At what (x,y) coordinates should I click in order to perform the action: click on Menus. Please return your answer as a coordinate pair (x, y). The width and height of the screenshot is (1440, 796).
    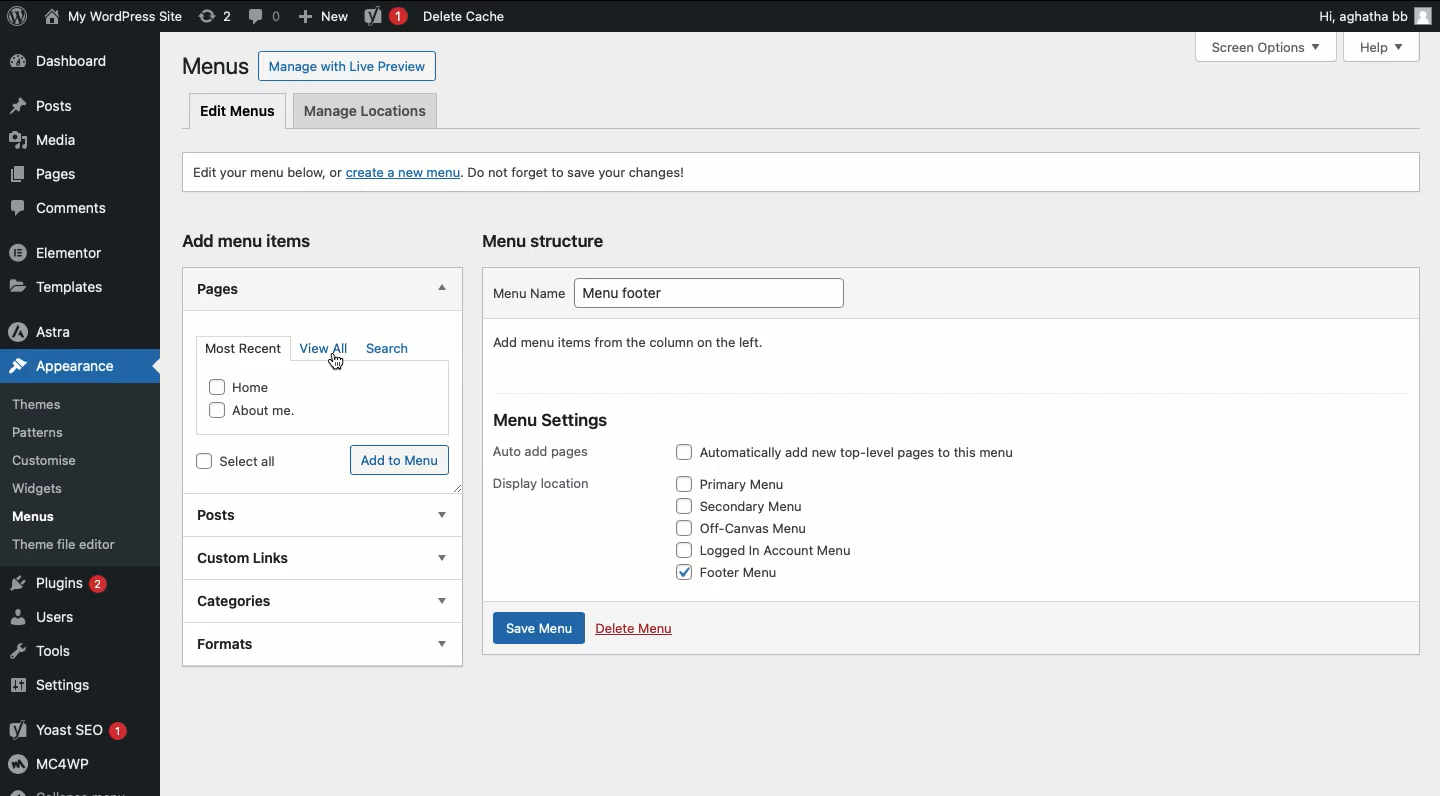
    Looking at the image, I should click on (48, 519).